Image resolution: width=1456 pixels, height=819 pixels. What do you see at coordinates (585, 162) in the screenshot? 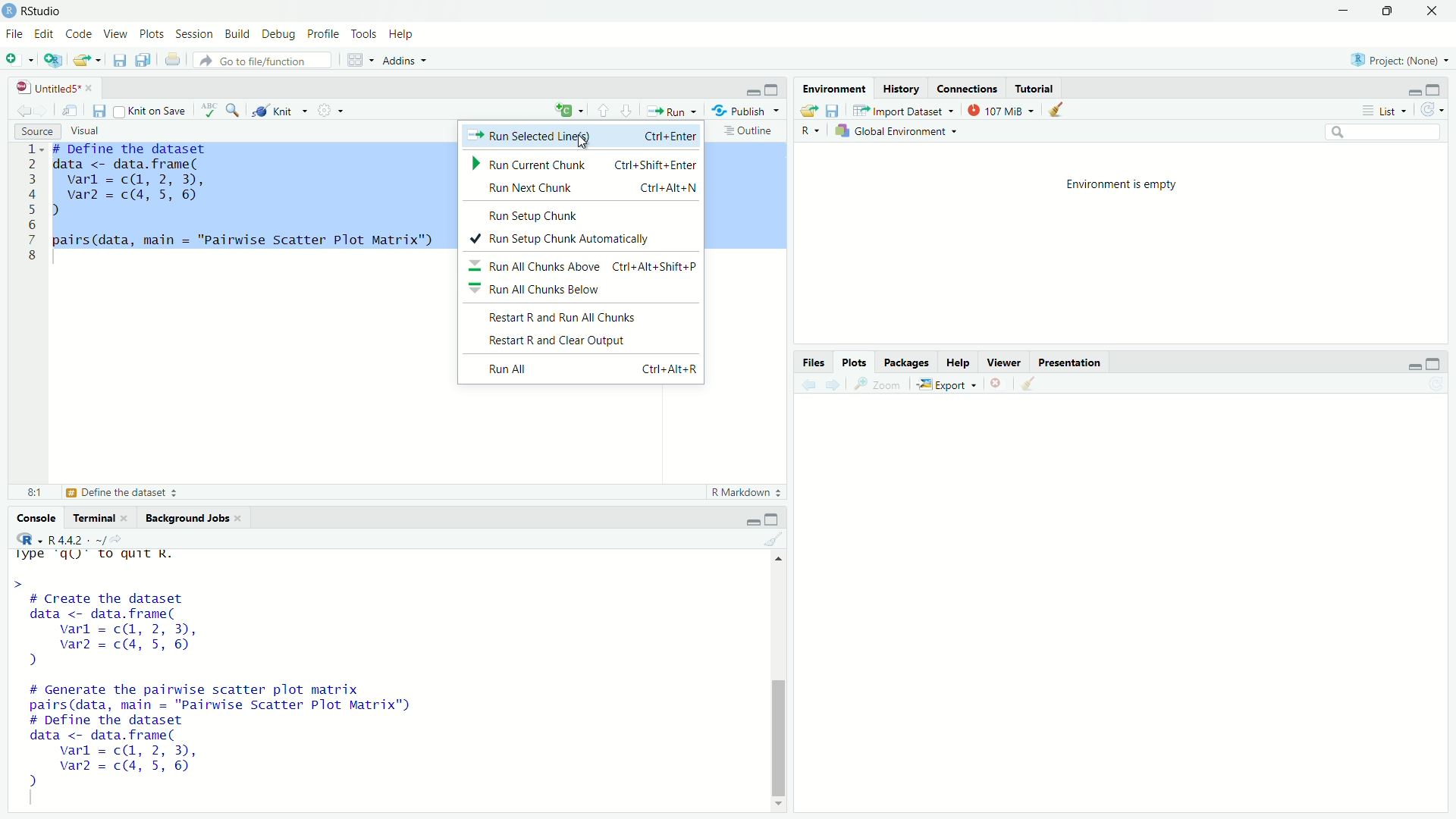
I see `» Run Current Chunk Ctrl+Shift+Enter` at bounding box center [585, 162].